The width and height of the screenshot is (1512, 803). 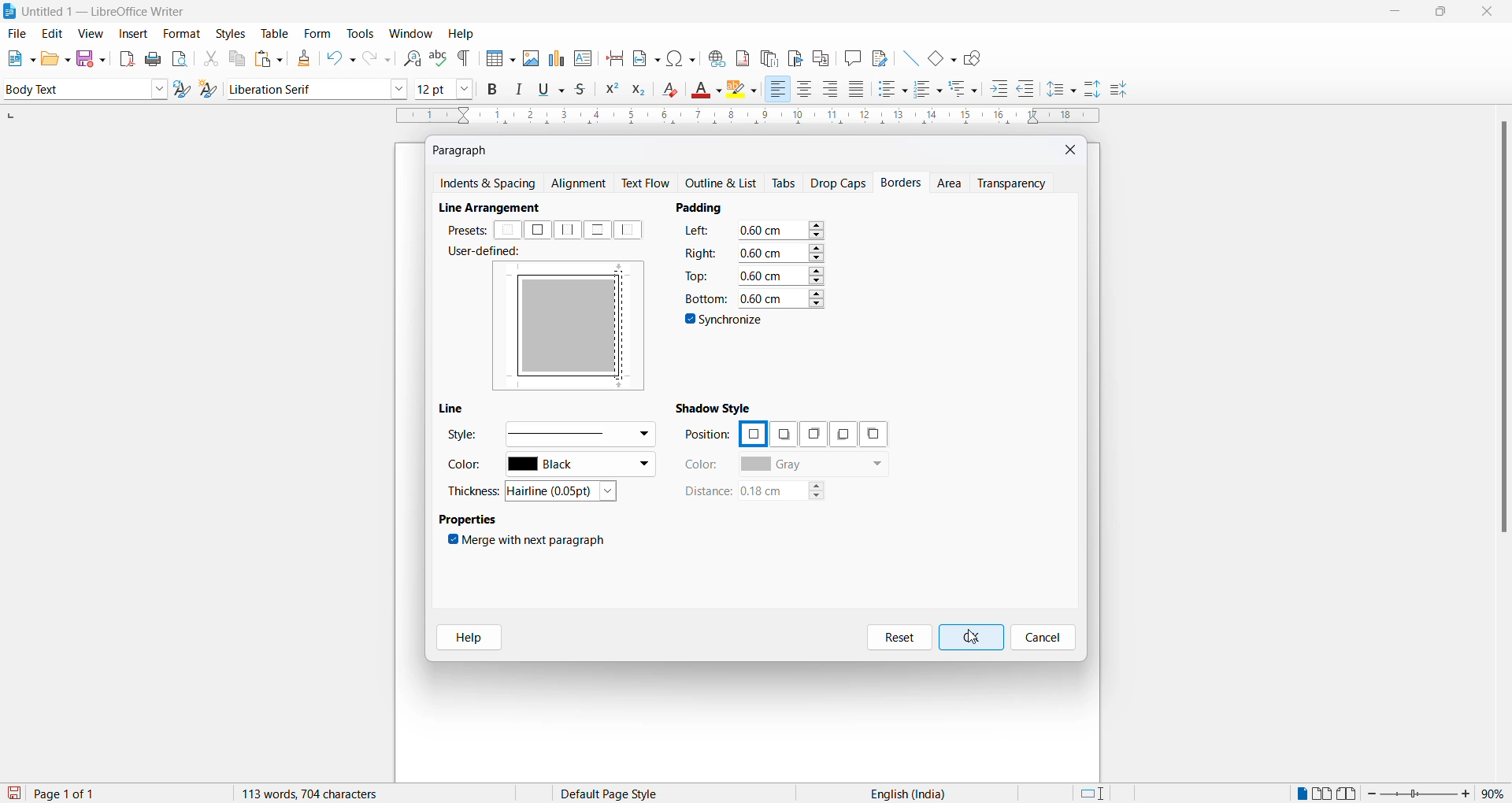 I want to click on text align right, so click(x=833, y=90).